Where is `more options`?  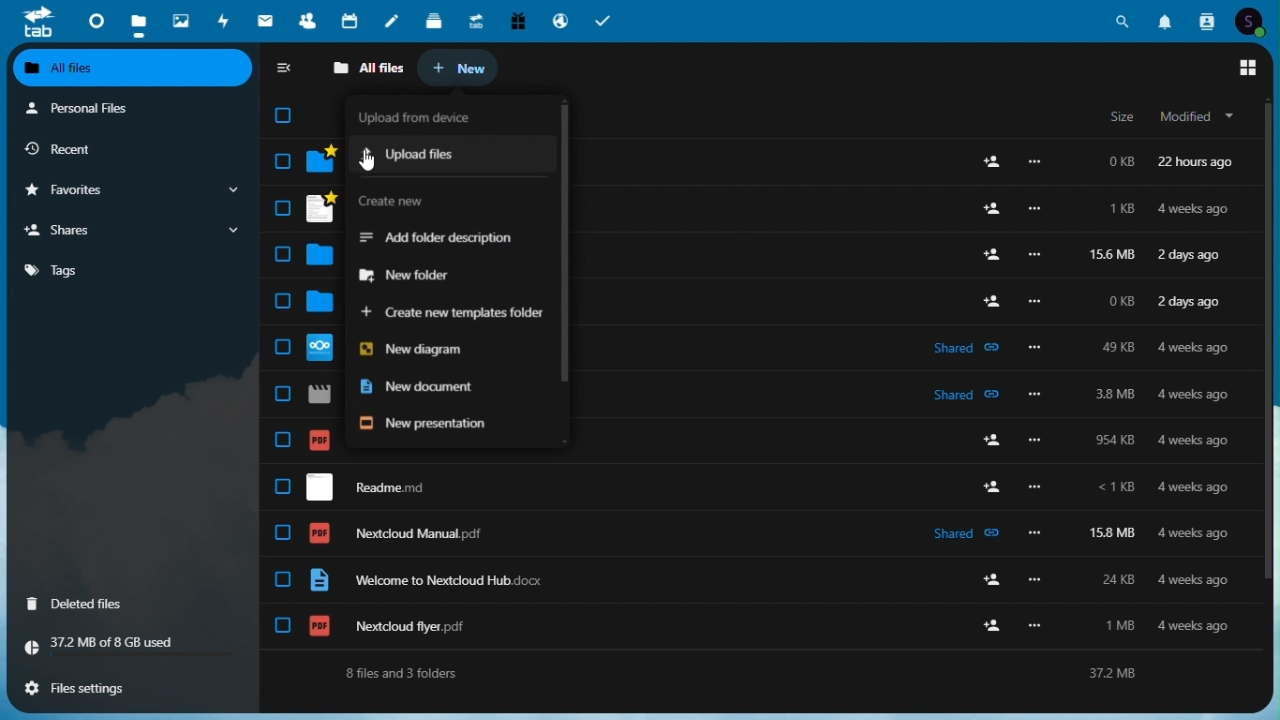 more options is located at coordinates (1034, 257).